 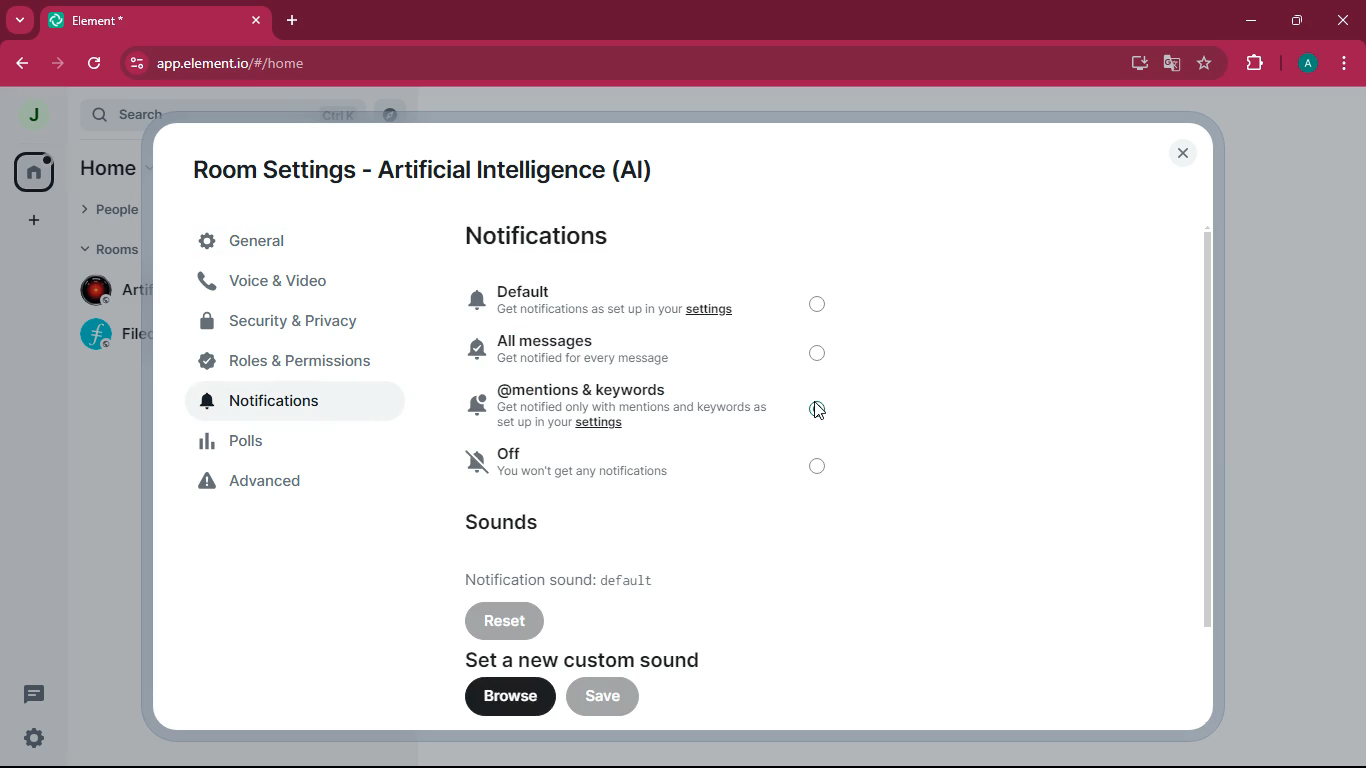 I want to click on back, so click(x=23, y=66).